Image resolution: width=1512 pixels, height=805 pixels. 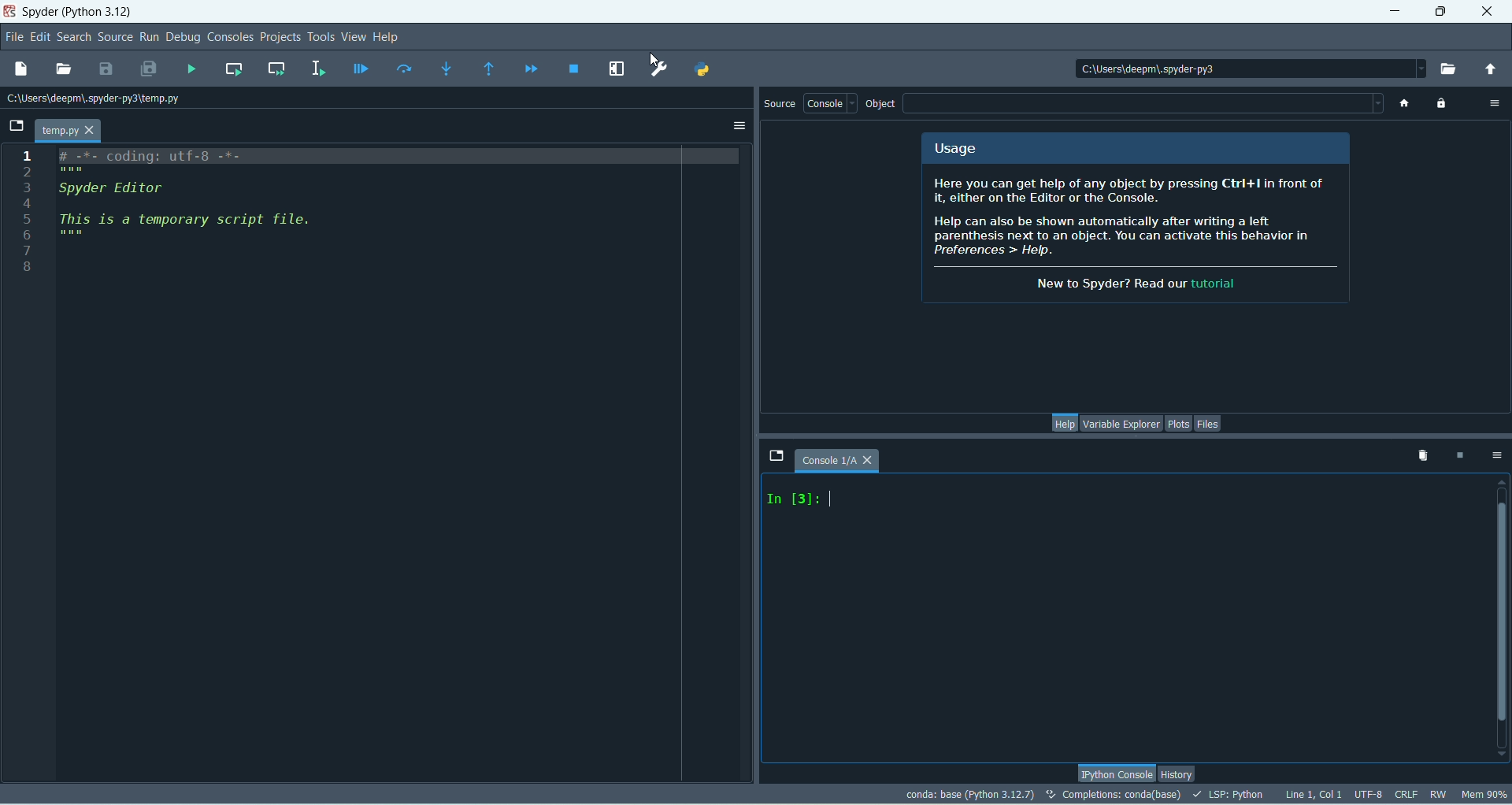 I want to click on file, so click(x=16, y=38).